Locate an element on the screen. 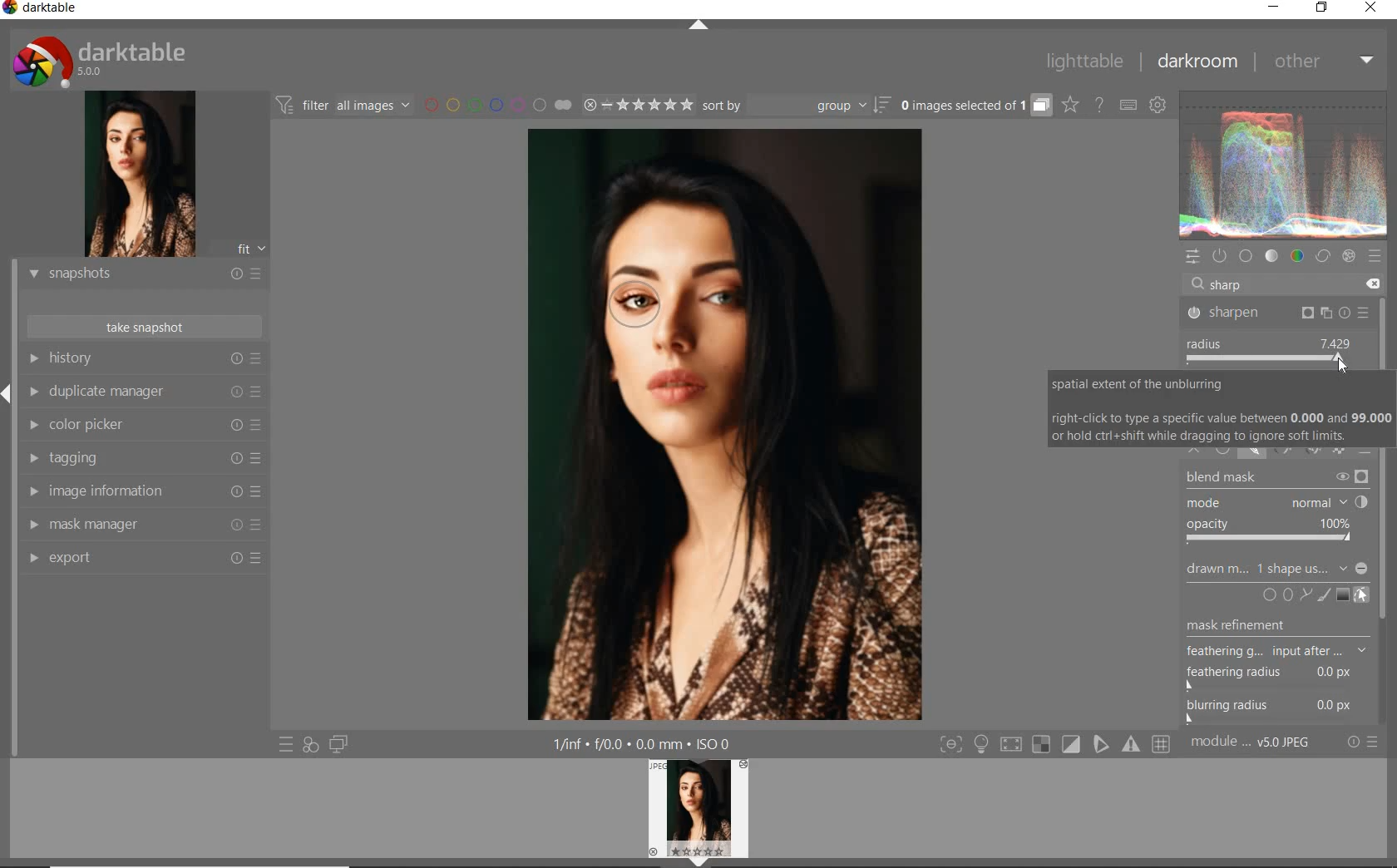  Preview color is located at coordinates (1284, 162).